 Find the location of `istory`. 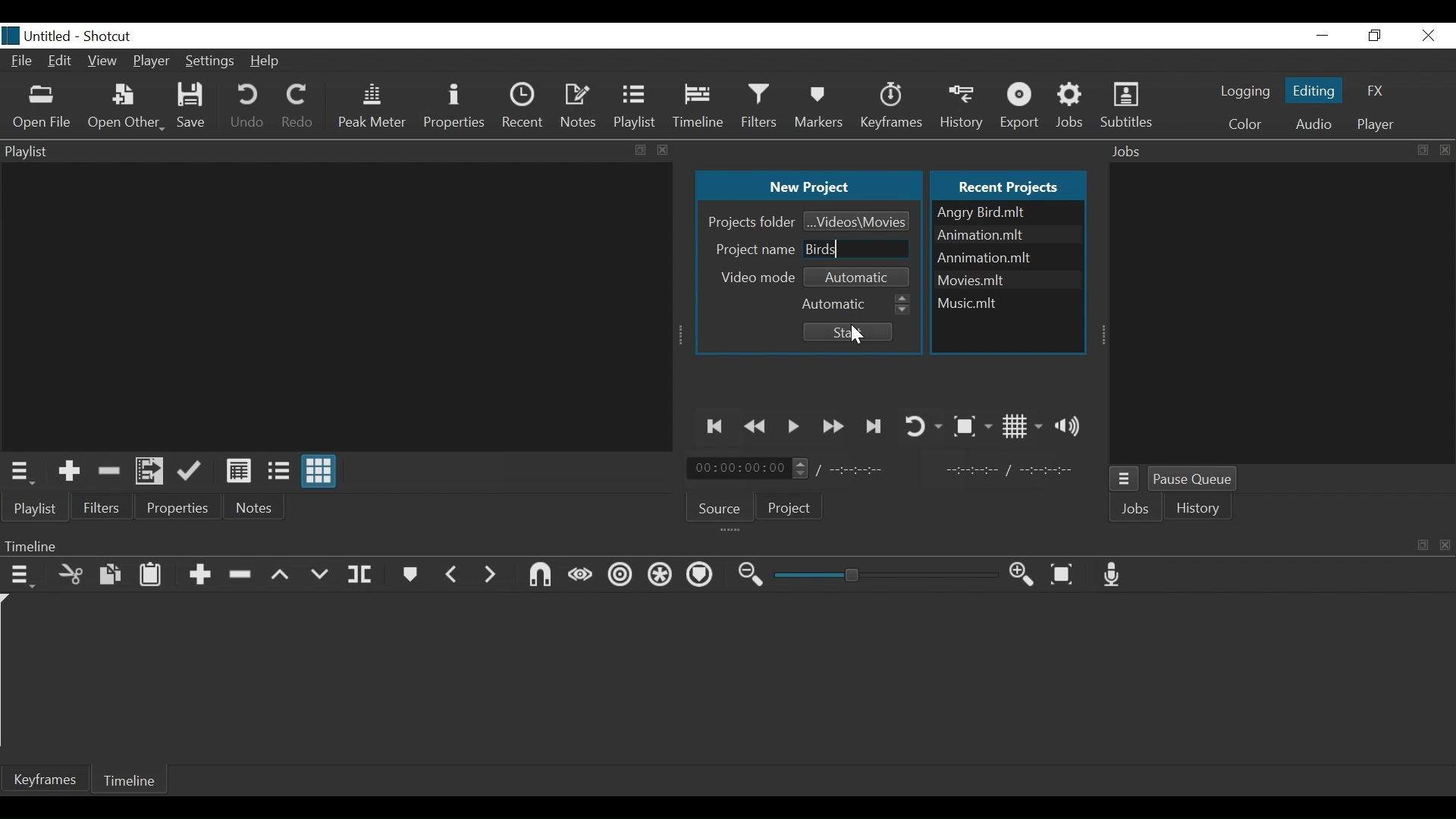

istory is located at coordinates (1202, 508).